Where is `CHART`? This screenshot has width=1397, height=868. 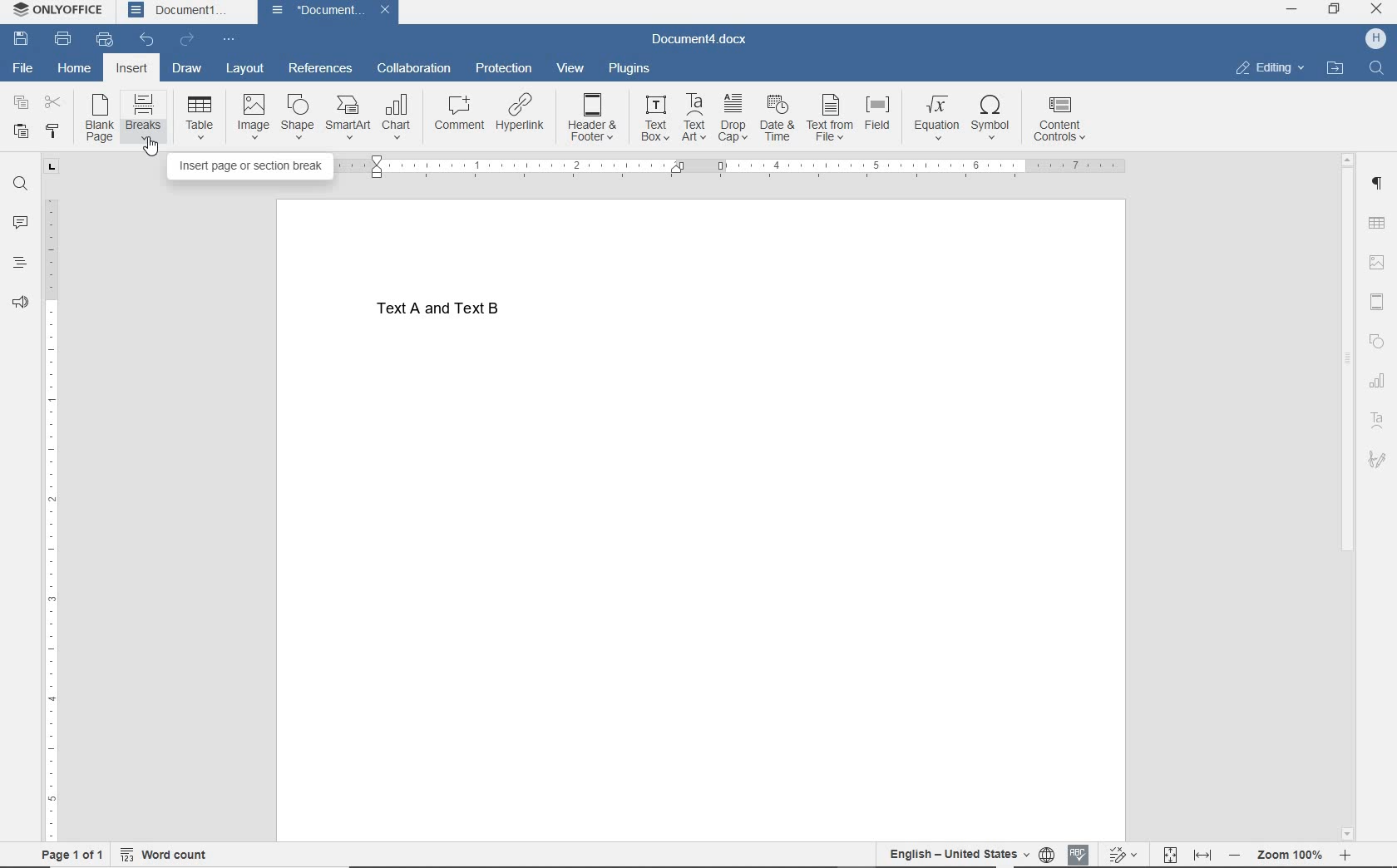 CHART is located at coordinates (1377, 380).